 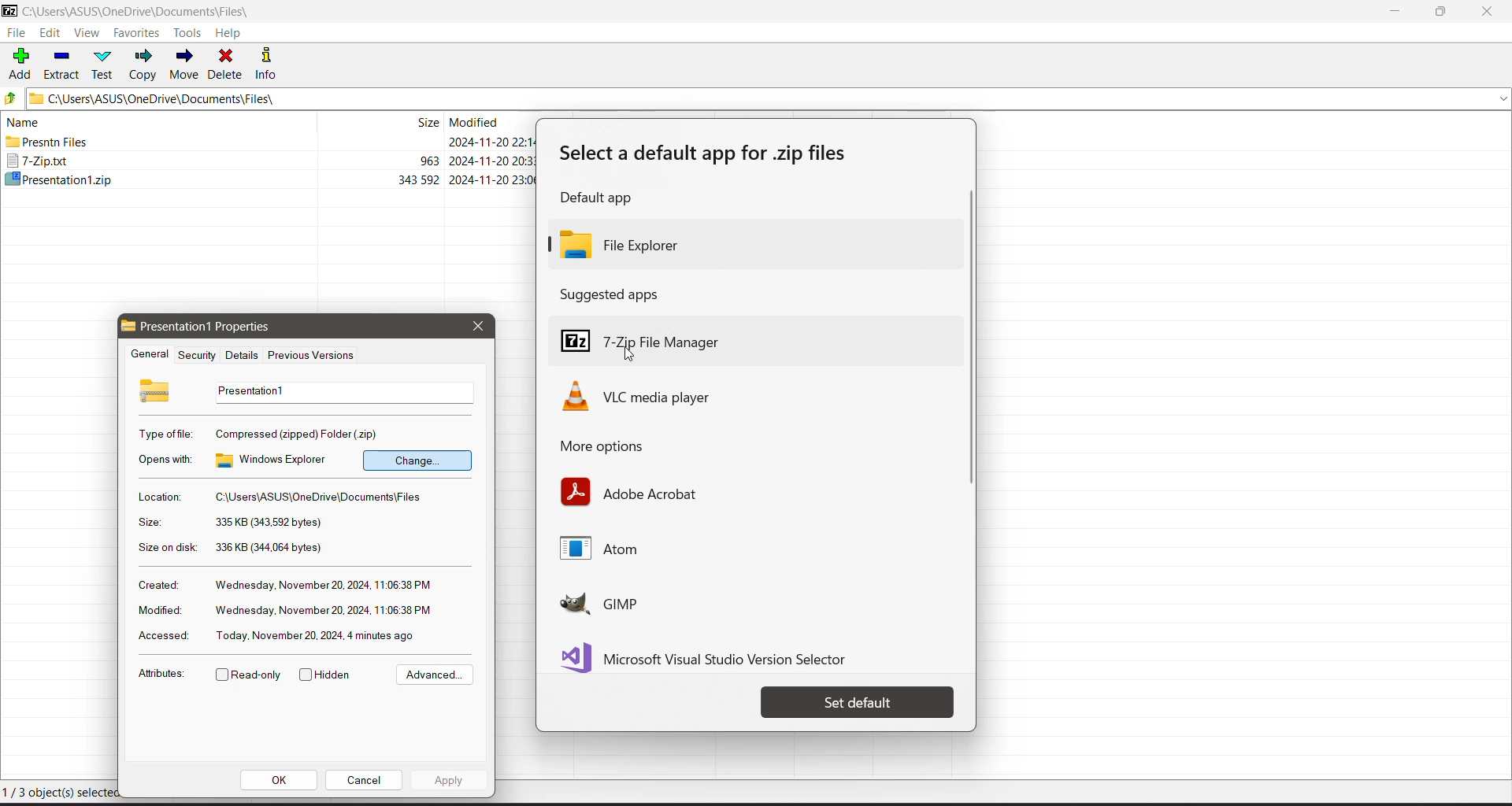 What do you see at coordinates (157, 584) in the screenshot?
I see `Created` at bounding box center [157, 584].